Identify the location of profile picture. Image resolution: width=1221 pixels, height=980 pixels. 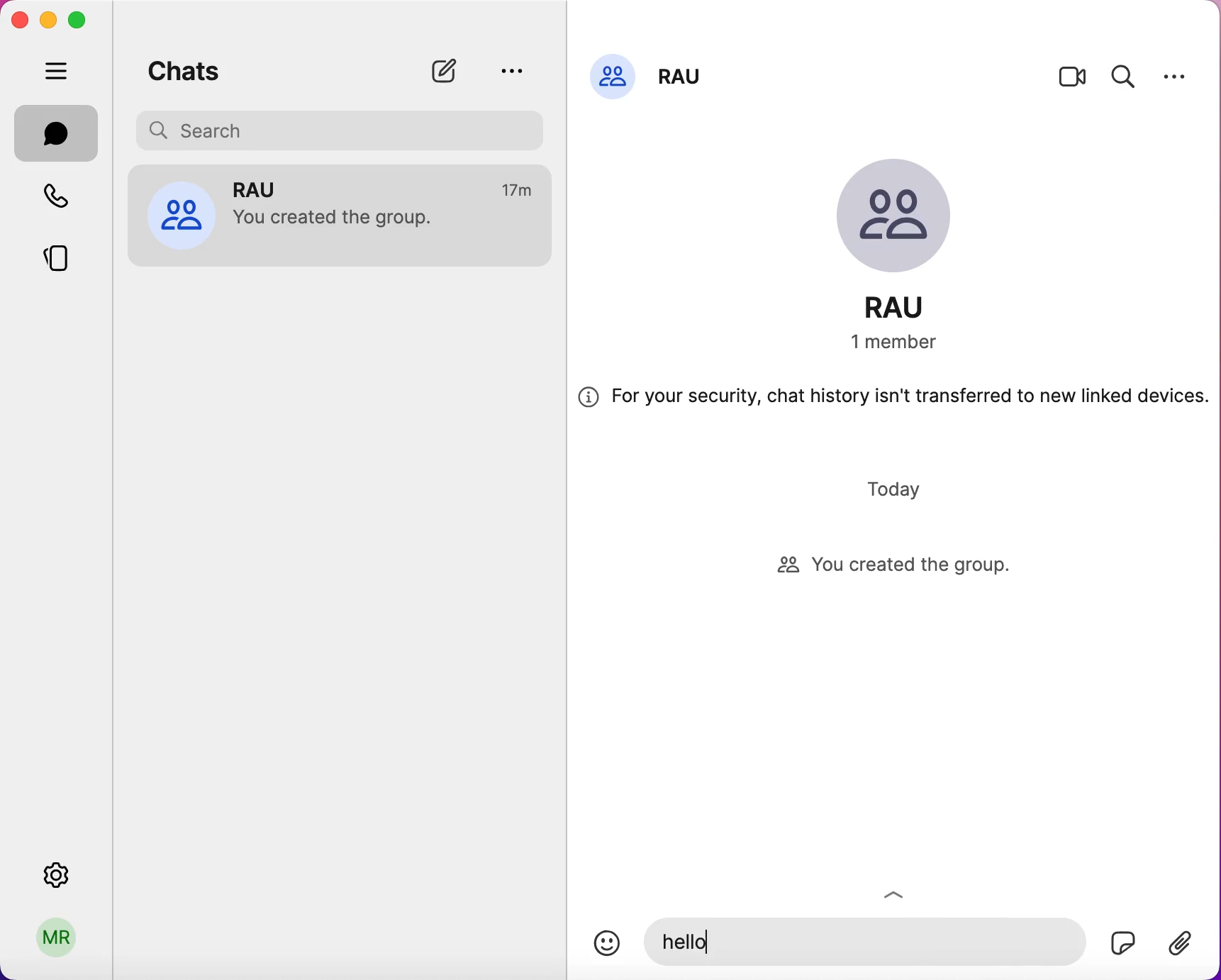
(613, 74).